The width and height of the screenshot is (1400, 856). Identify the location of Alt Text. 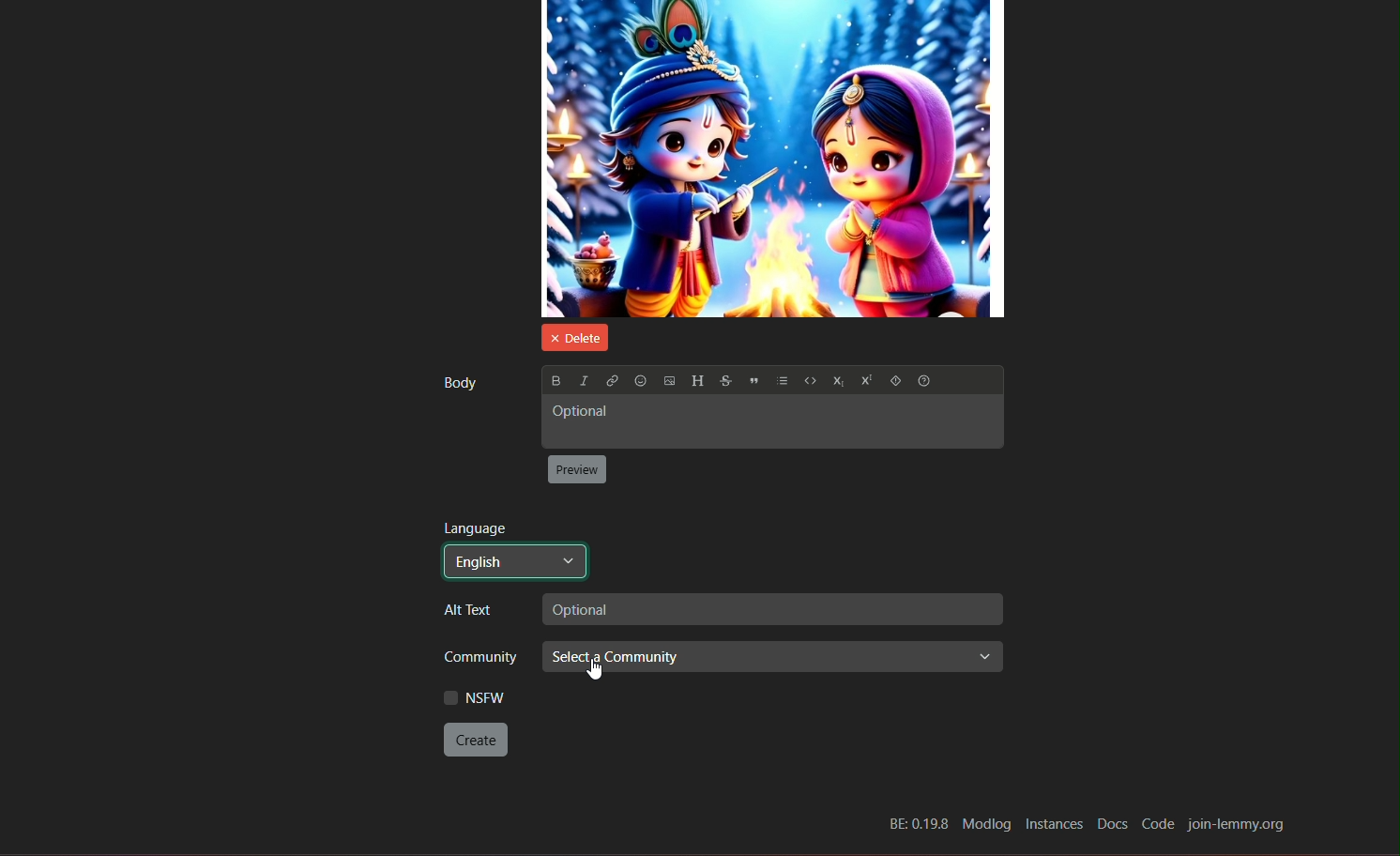
(474, 611).